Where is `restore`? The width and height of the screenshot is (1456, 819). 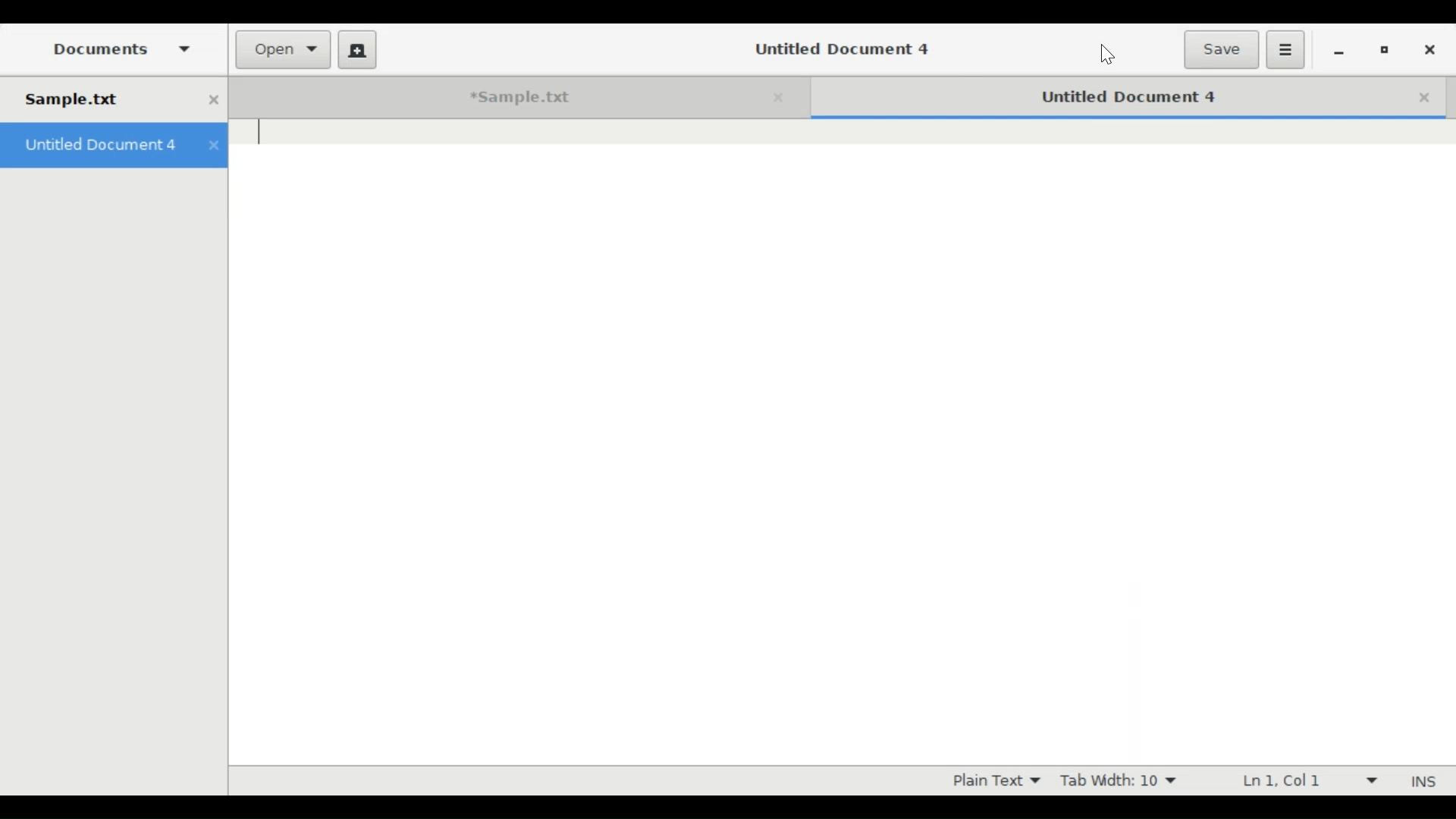 restore is located at coordinates (1385, 51).